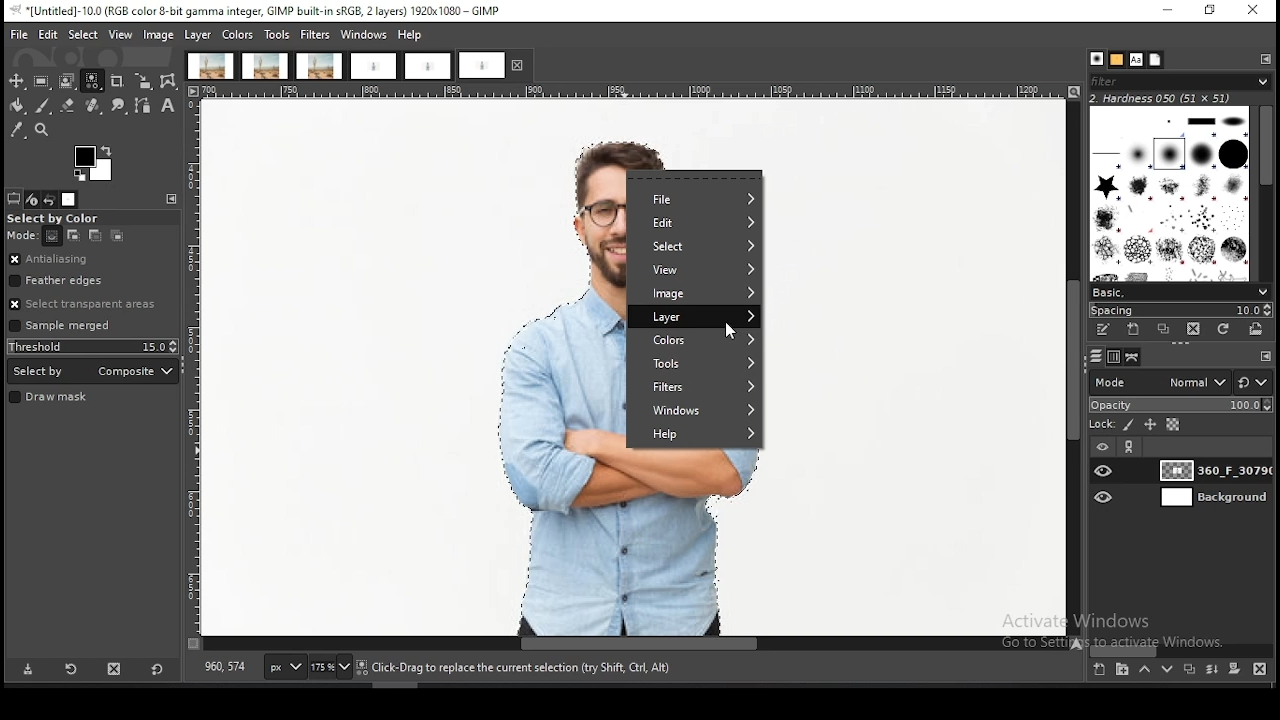  I want to click on opacity, so click(1180, 406).